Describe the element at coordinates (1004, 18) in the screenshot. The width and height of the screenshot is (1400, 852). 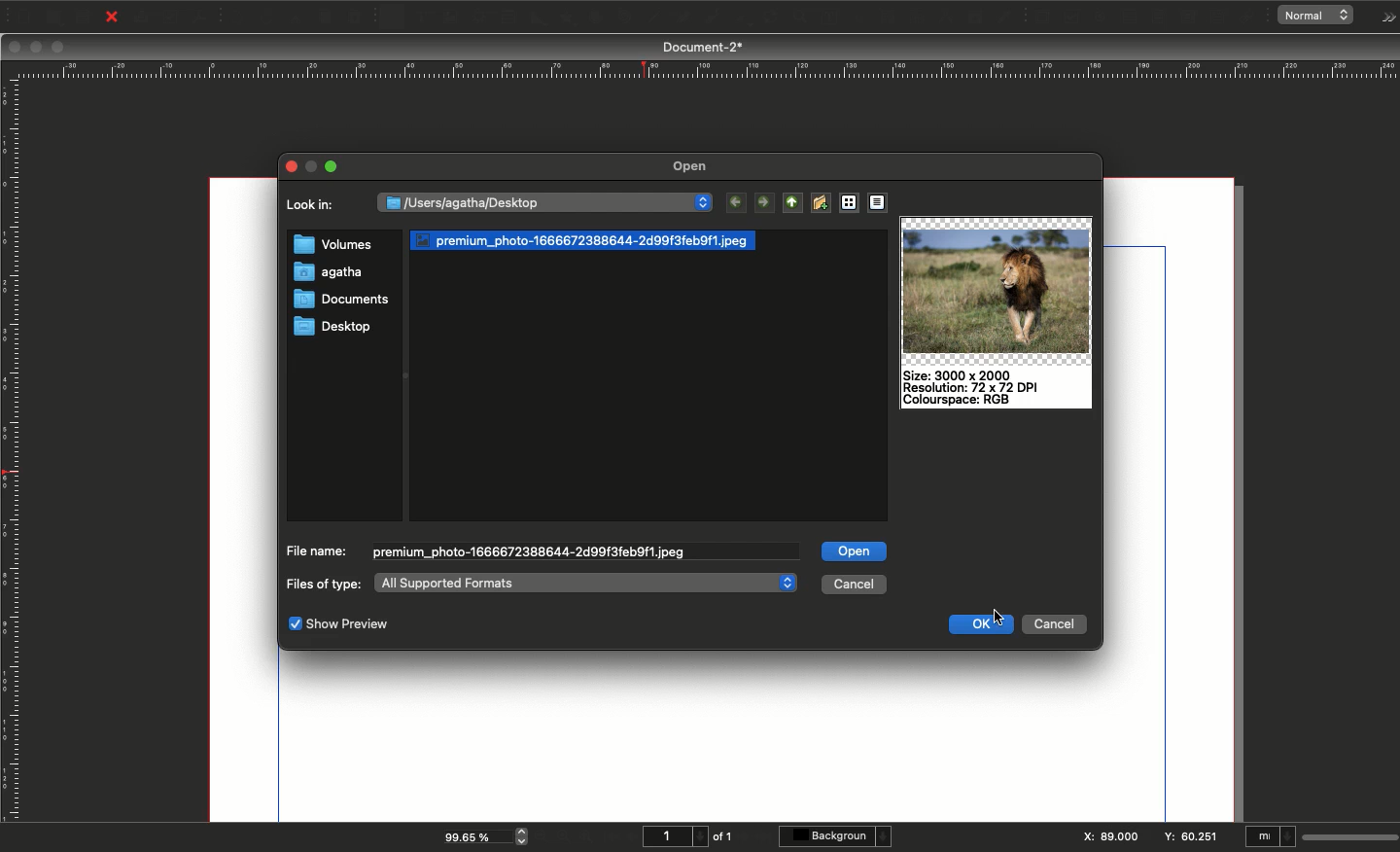
I see `Eye dropper` at that location.